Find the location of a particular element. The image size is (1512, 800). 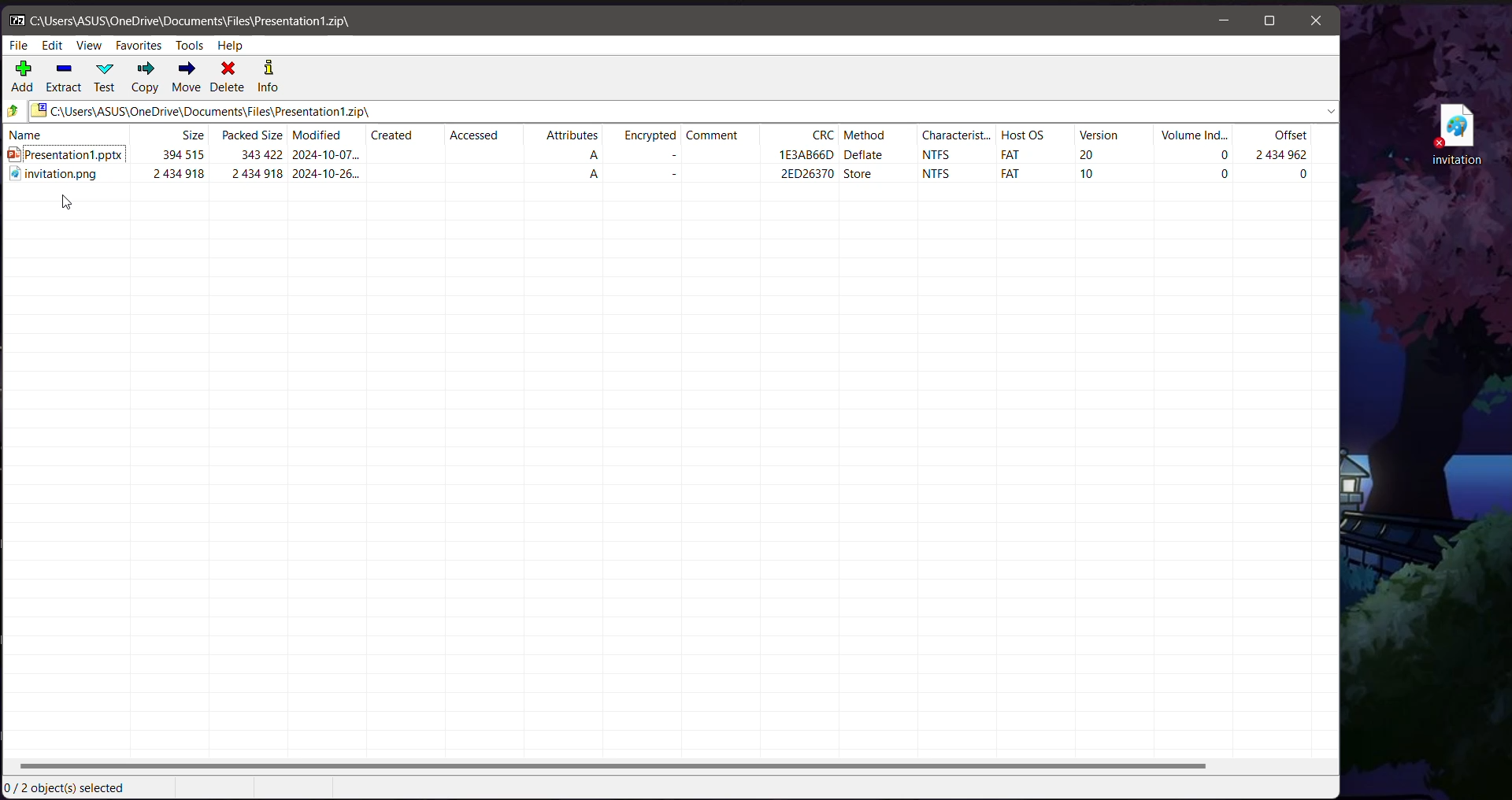

Offset is located at coordinates (1273, 135).